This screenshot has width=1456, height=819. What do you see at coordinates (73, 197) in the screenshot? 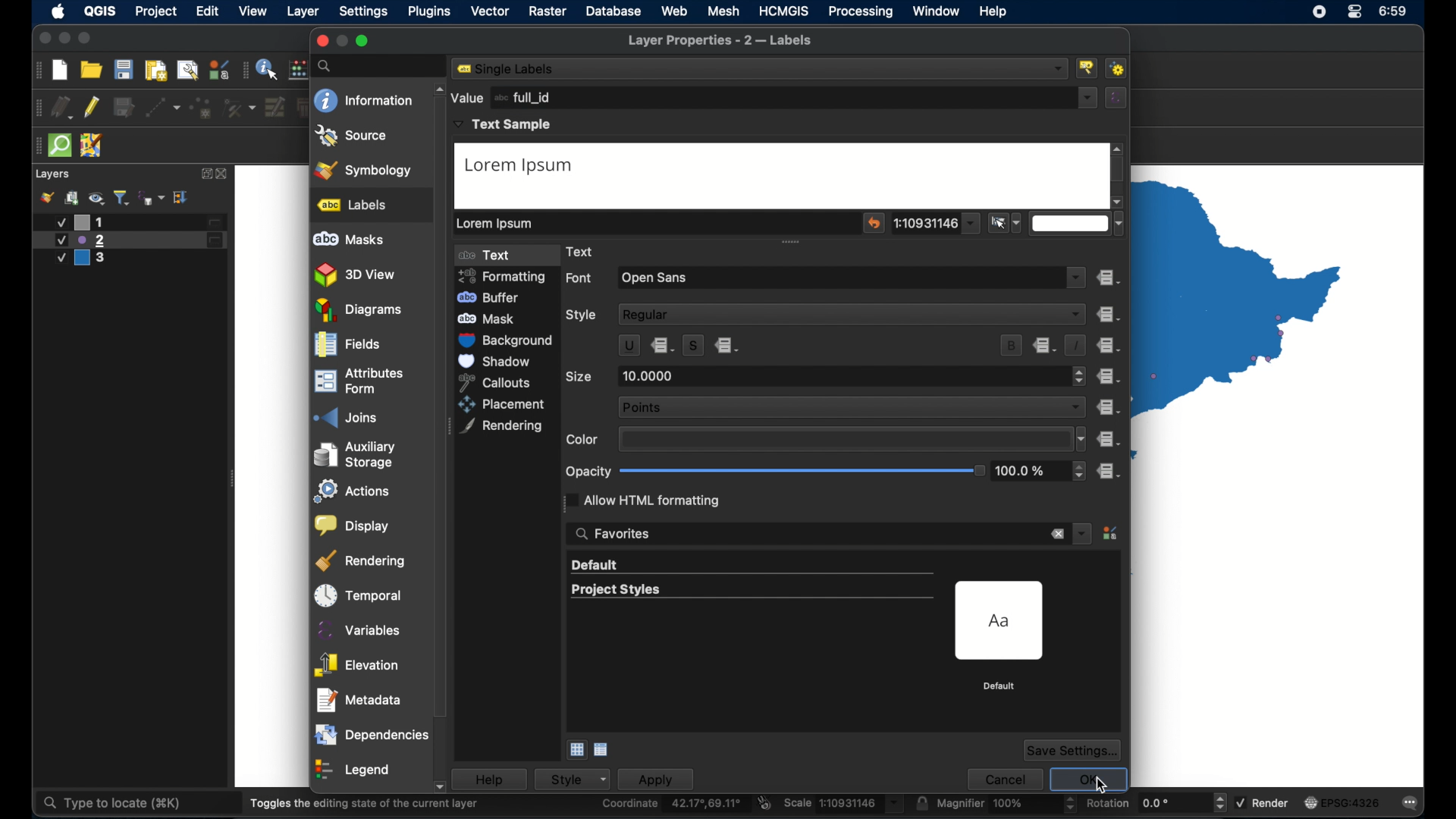
I see `add group` at bounding box center [73, 197].